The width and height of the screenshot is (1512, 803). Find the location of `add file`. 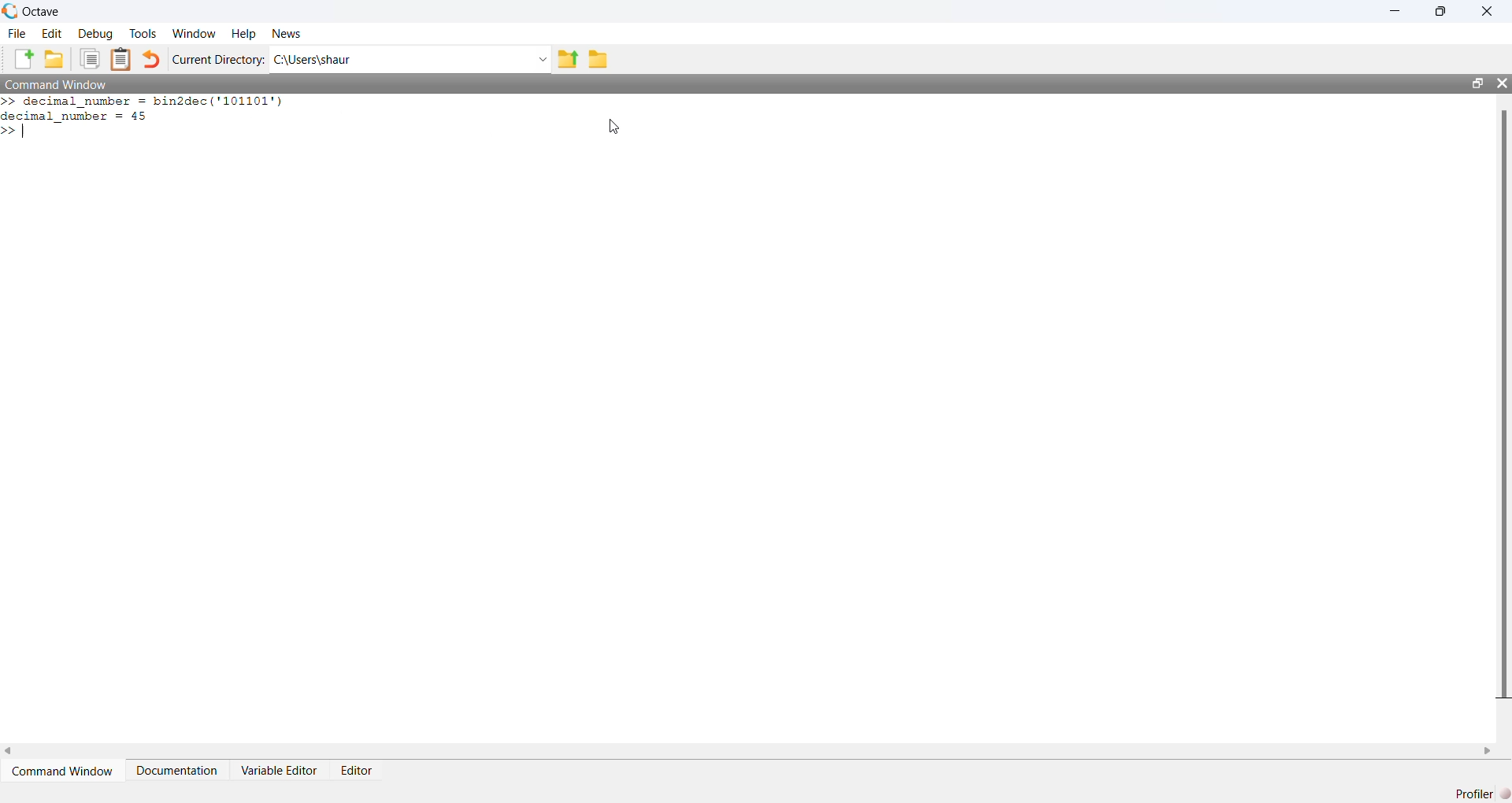

add file is located at coordinates (24, 58).